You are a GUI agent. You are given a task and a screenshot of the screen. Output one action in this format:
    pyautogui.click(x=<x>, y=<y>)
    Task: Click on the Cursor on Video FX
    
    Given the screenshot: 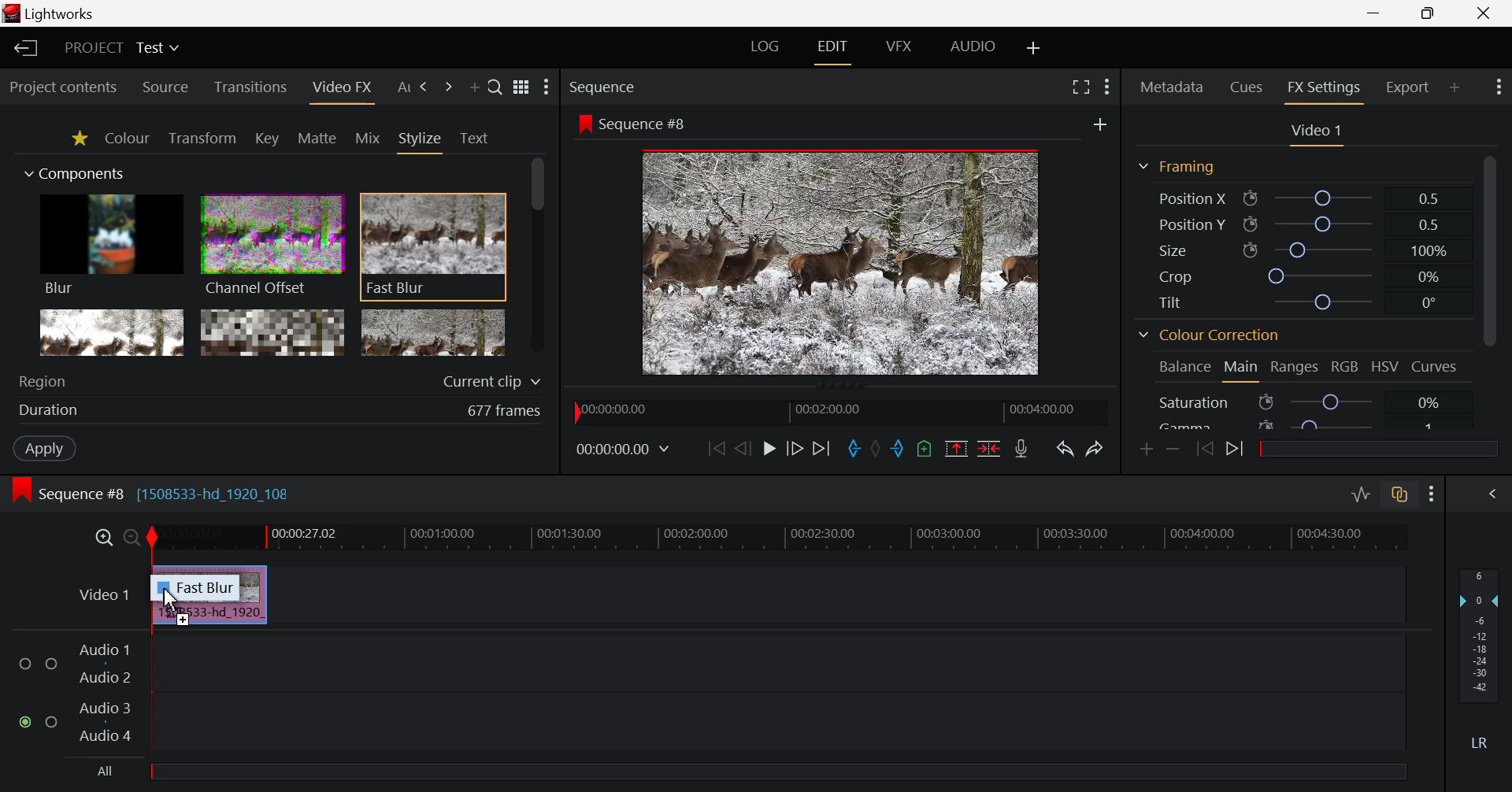 What is the action you would take?
    pyautogui.click(x=350, y=88)
    